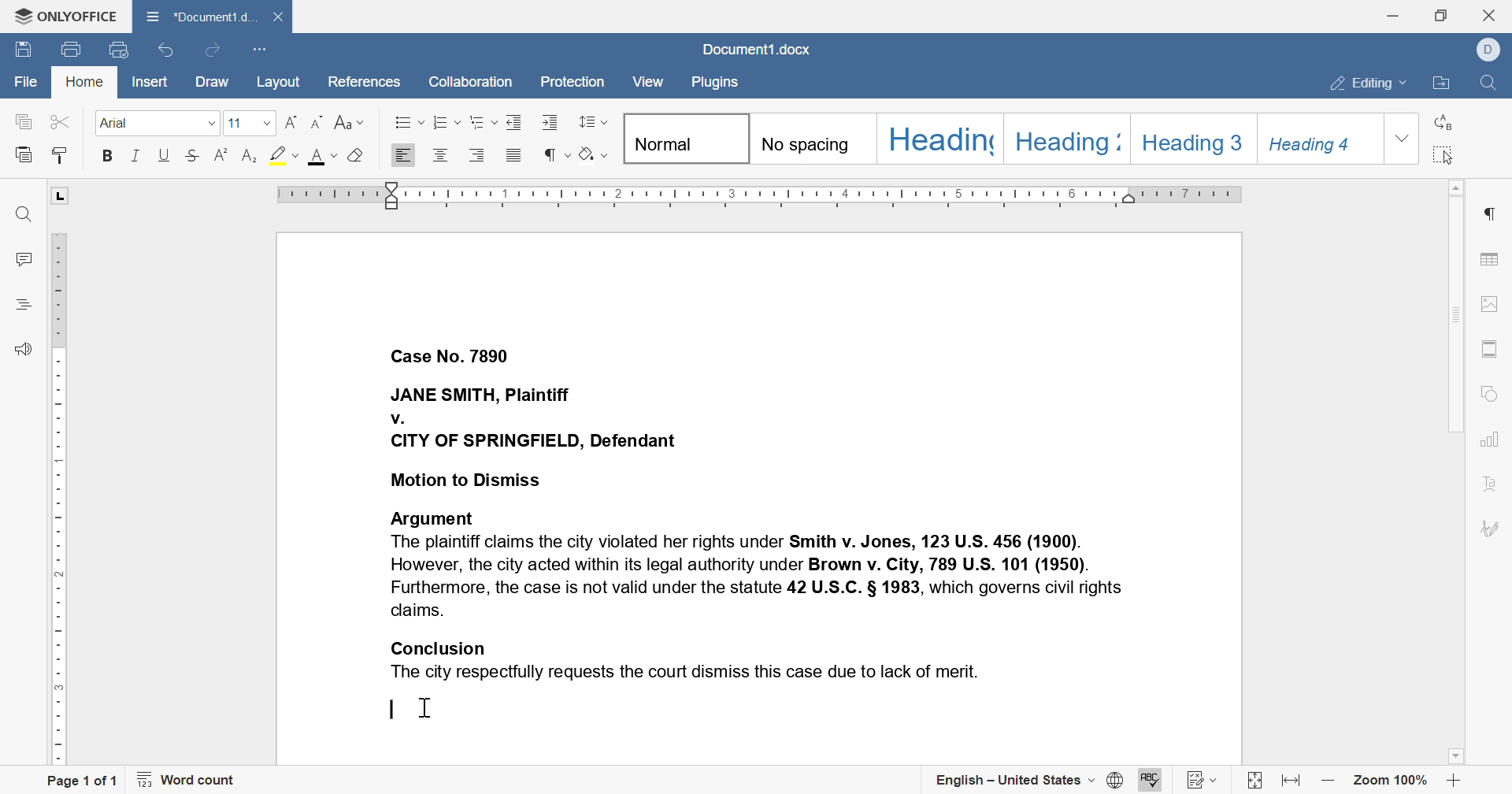  I want to click on paste, so click(59, 157).